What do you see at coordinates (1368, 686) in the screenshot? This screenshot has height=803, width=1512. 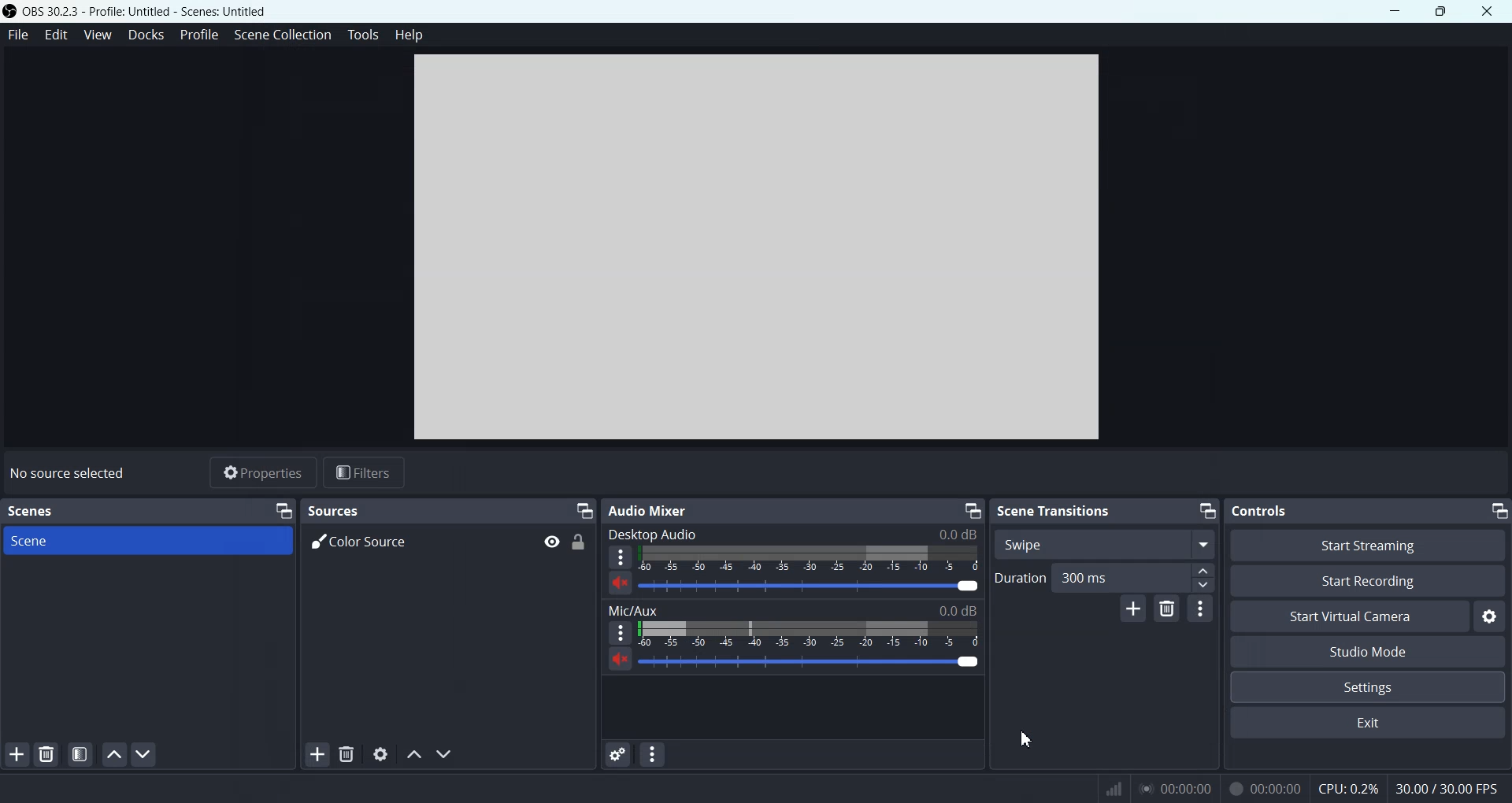 I see `Settings` at bounding box center [1368, 686].